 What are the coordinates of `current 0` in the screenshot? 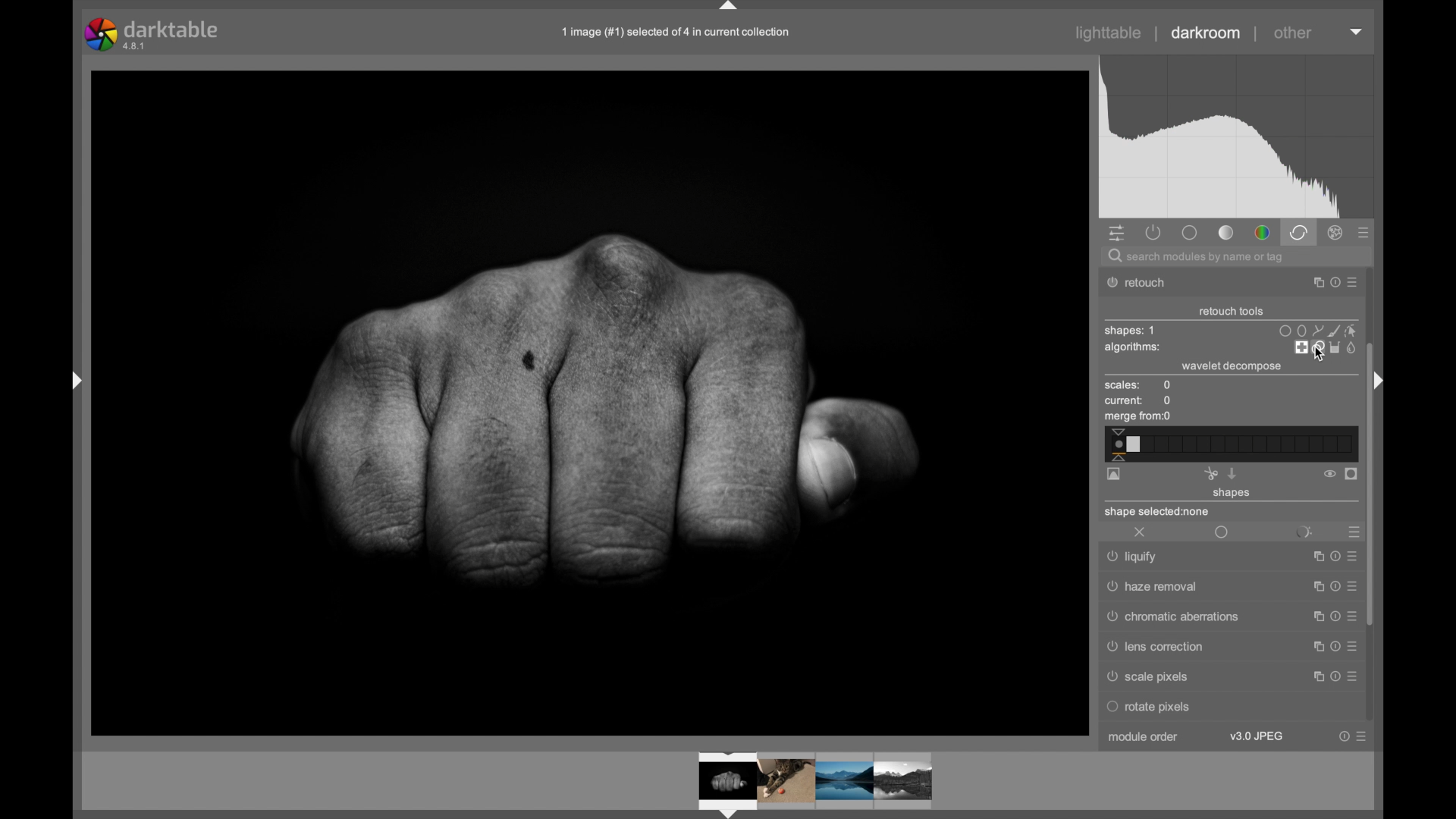 It's located at (1139, 401).